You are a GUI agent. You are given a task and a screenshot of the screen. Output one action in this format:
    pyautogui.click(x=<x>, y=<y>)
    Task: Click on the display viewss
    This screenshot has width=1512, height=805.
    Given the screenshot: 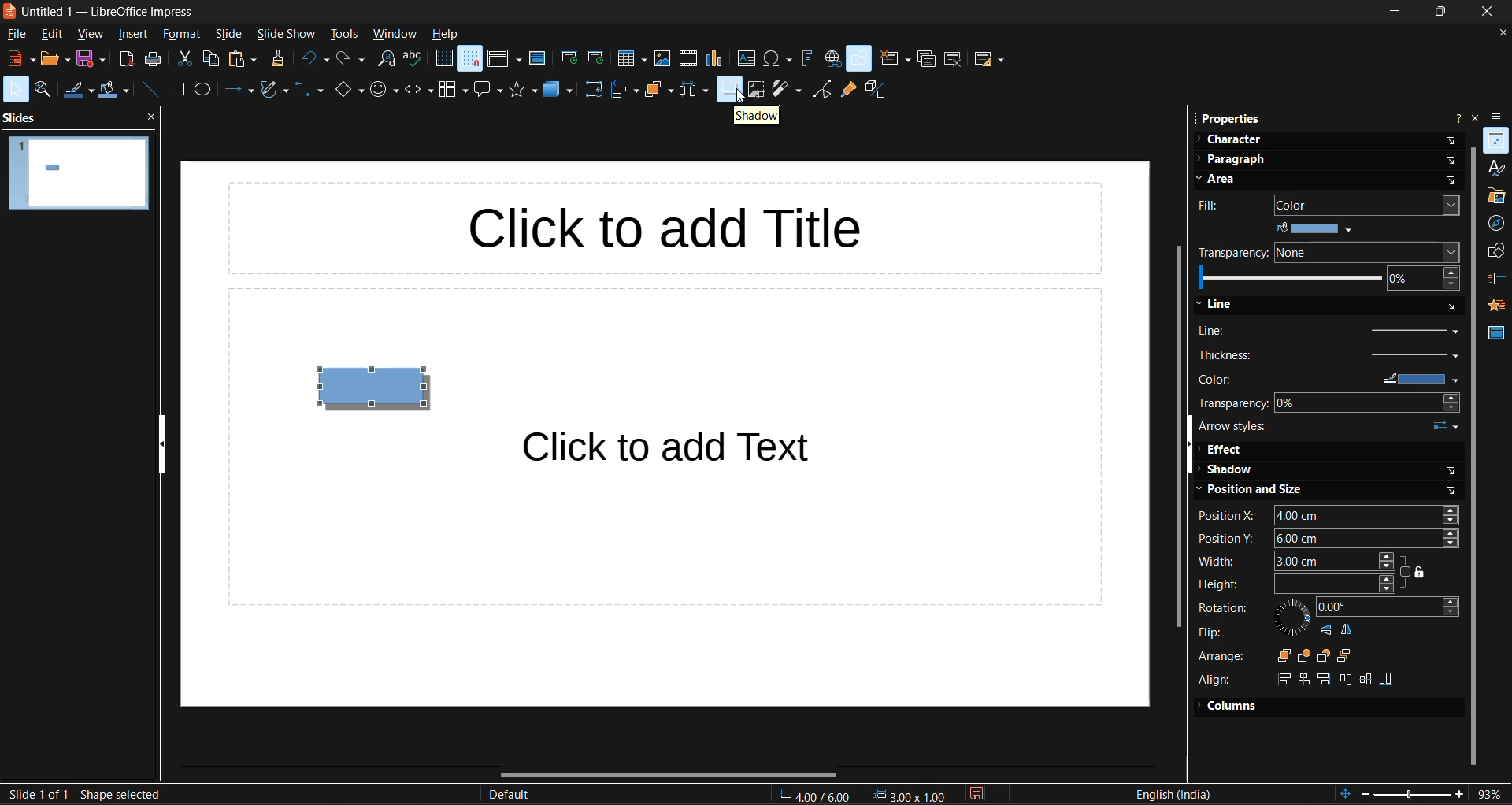 What is the action you would take?
    pyautogui.click(x=505, y=58)
    